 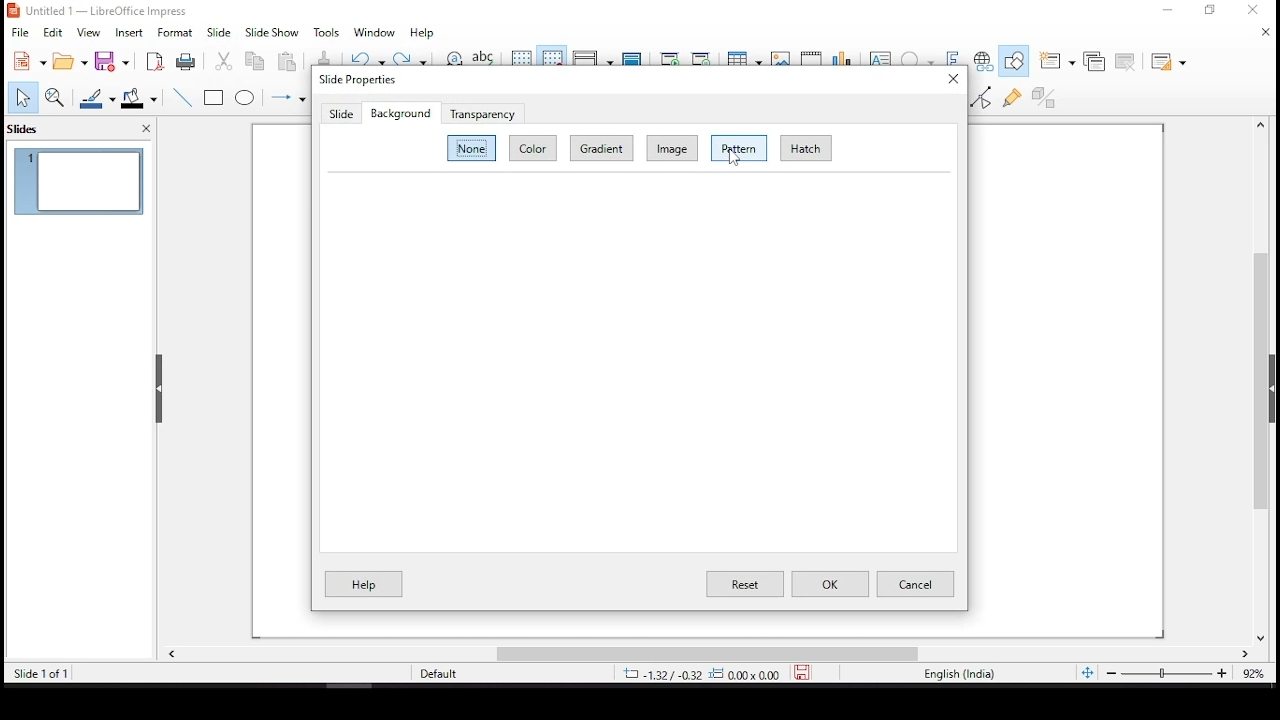 I want to click on insert special characters, so click(x=918, y=56).